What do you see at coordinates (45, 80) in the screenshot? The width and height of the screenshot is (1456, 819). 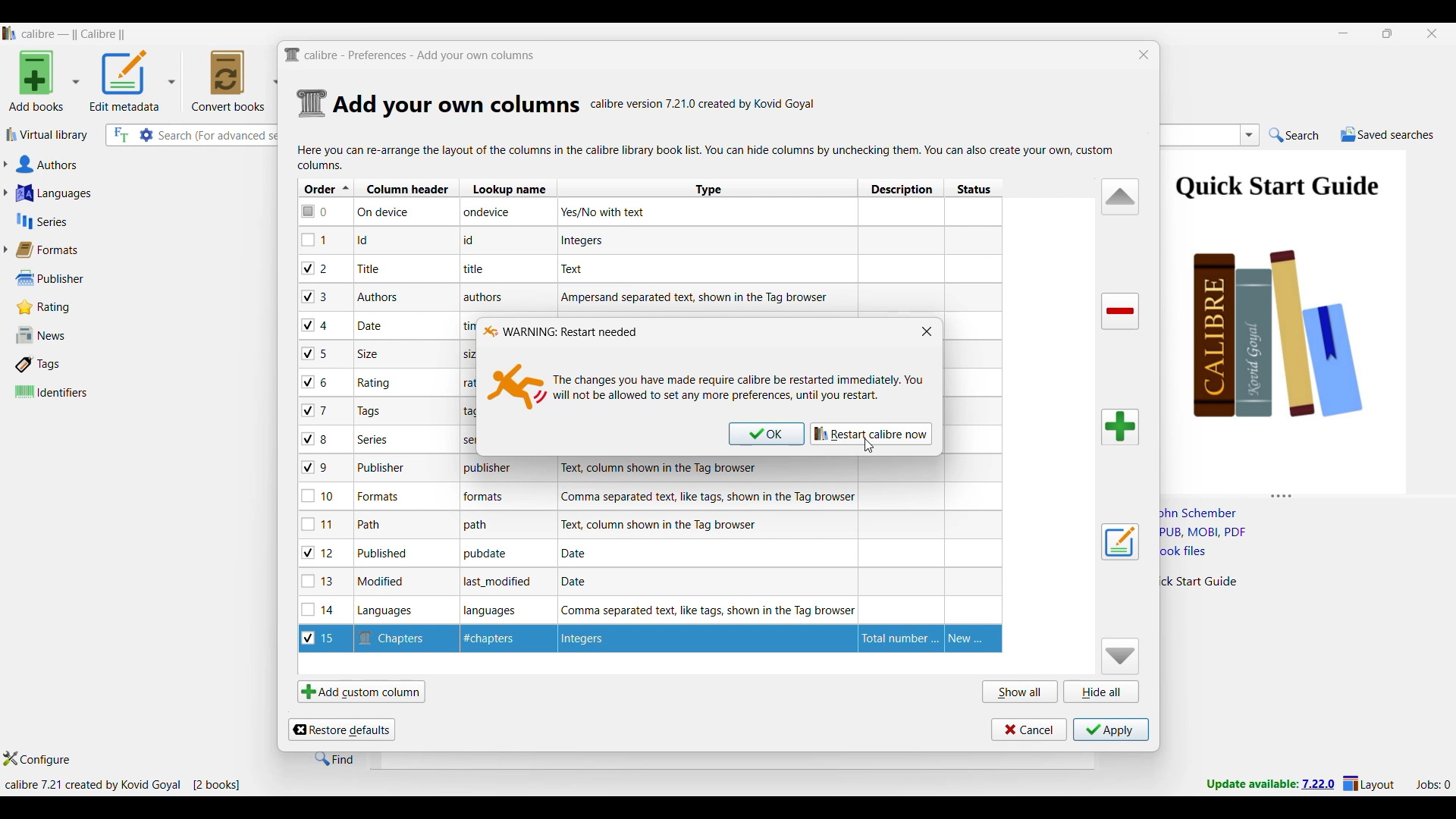 I see `Add book options` at bounding box center [45, 80].